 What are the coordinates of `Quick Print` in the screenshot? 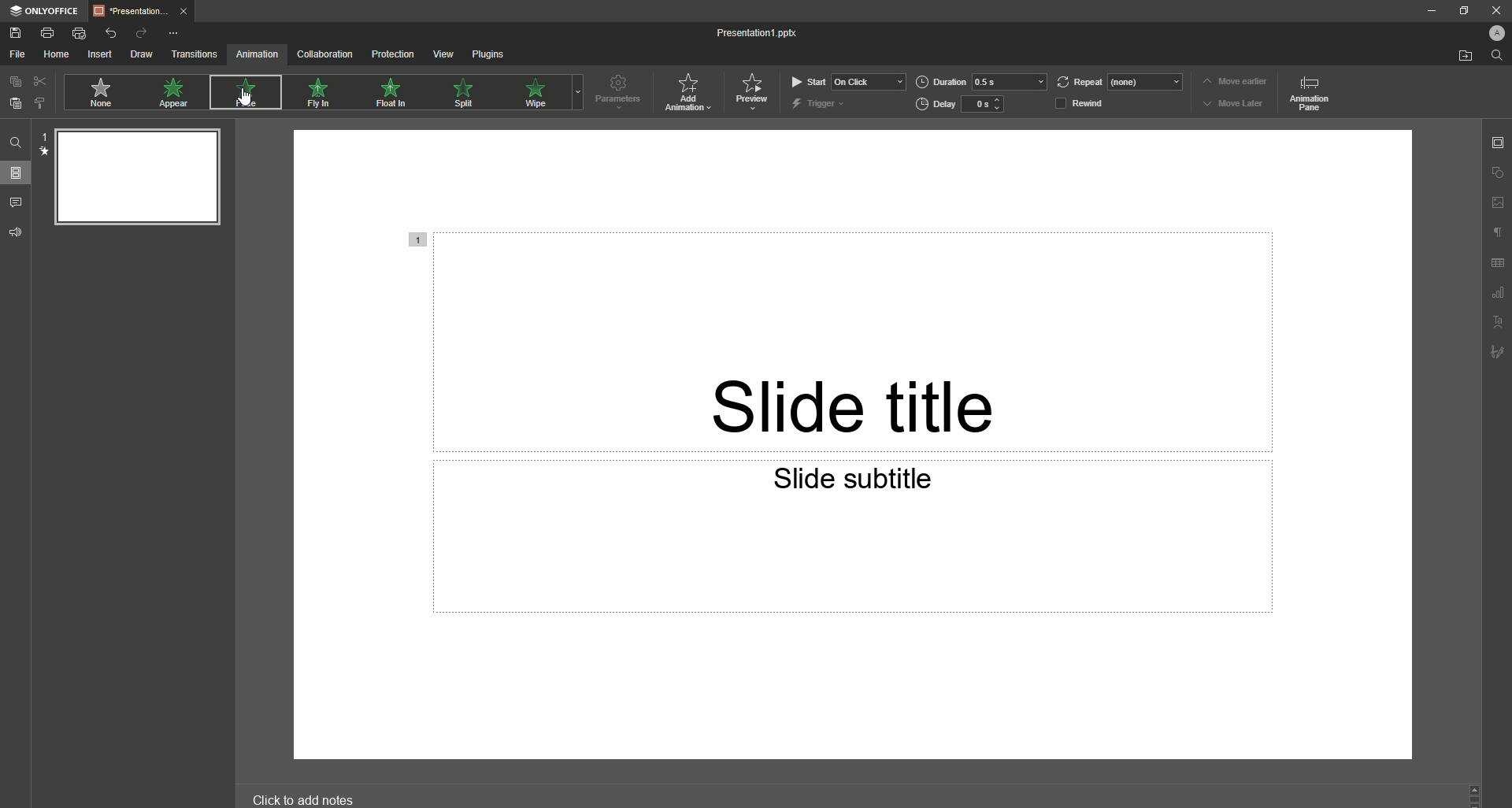 It's located at (78, 33).